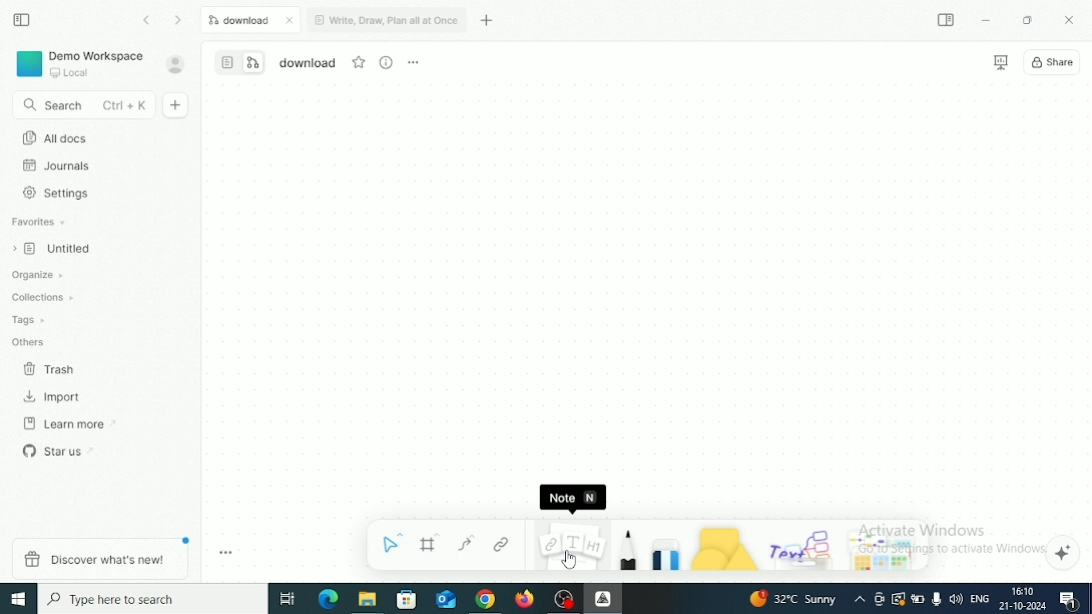 This screenshot has width=1092, height=614. I want to click on All docs, so click(53, 139).